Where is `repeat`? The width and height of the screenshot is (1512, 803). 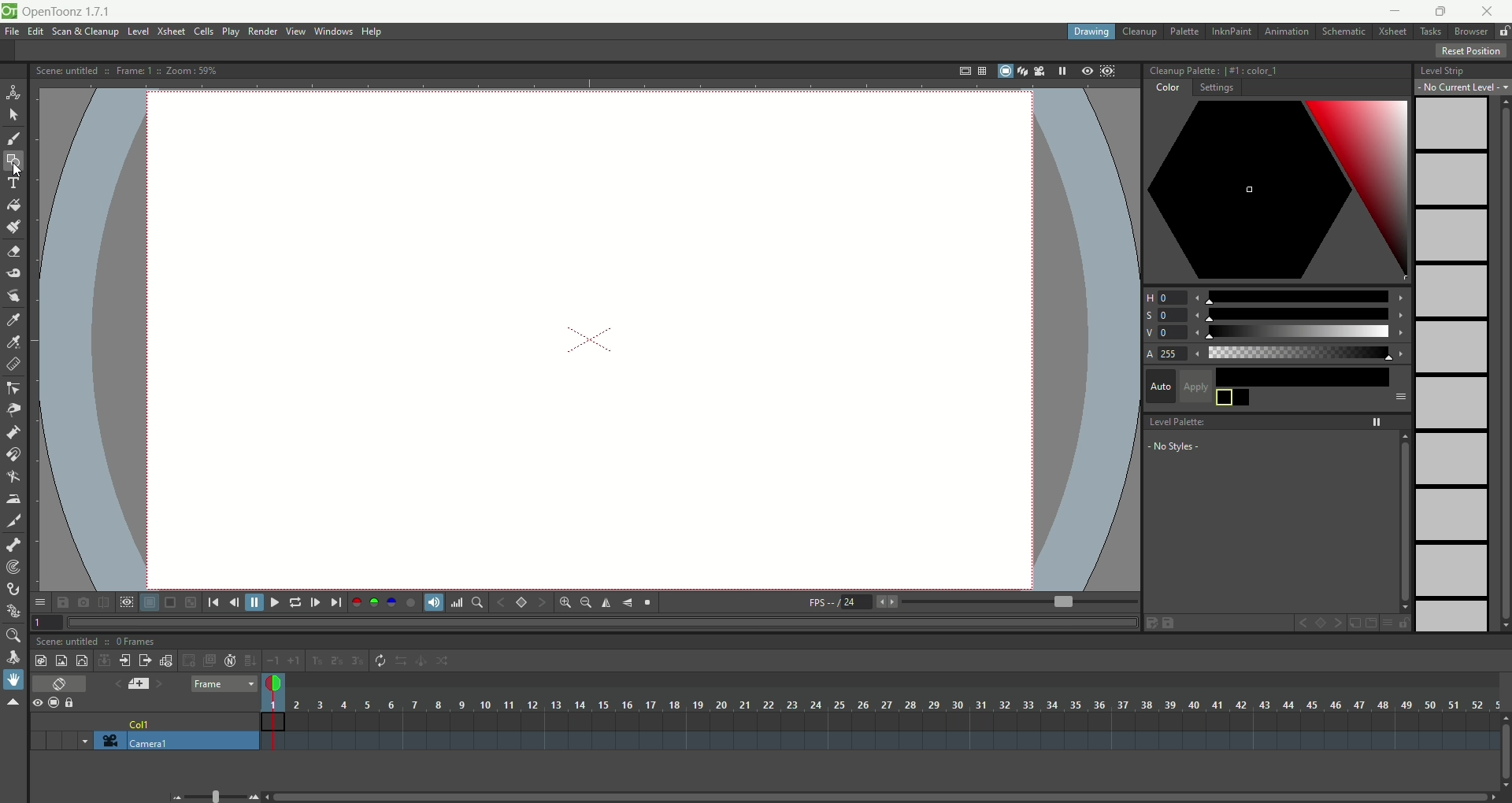 repeat is located at coordinates (380, 661).